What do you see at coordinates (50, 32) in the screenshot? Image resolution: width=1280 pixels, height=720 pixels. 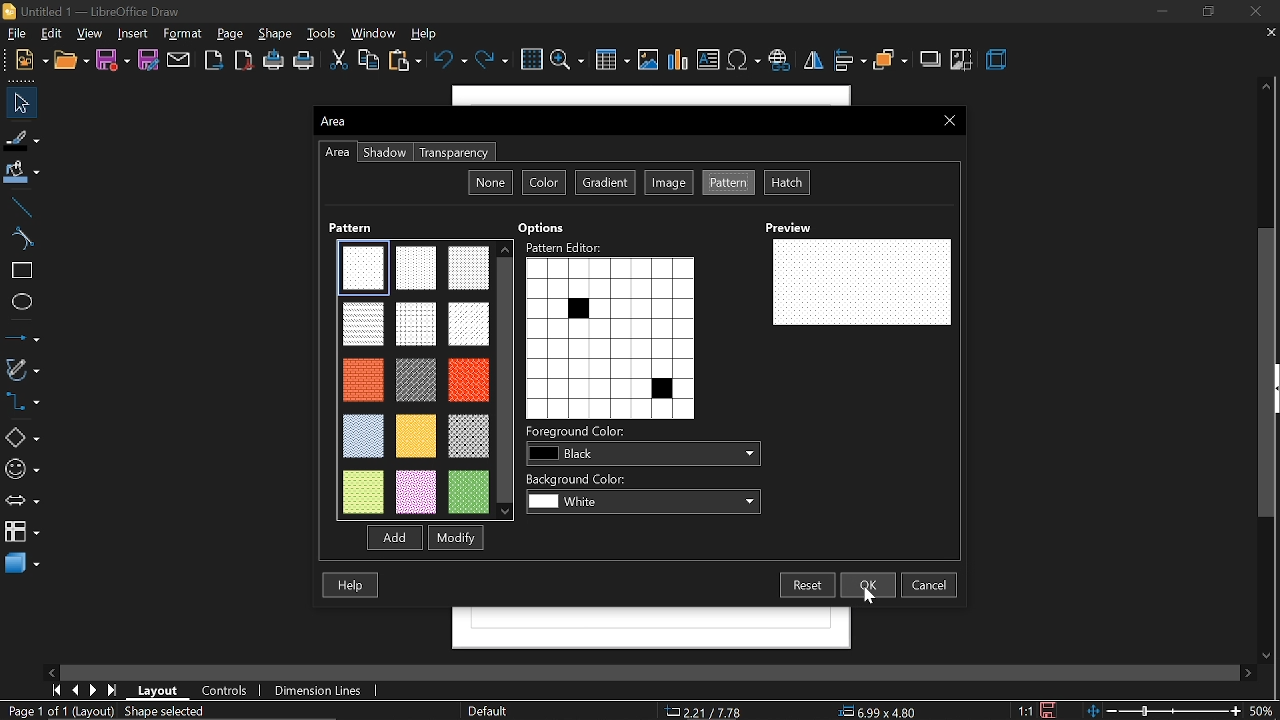 I see `edit` at bounding box center [50, 32].